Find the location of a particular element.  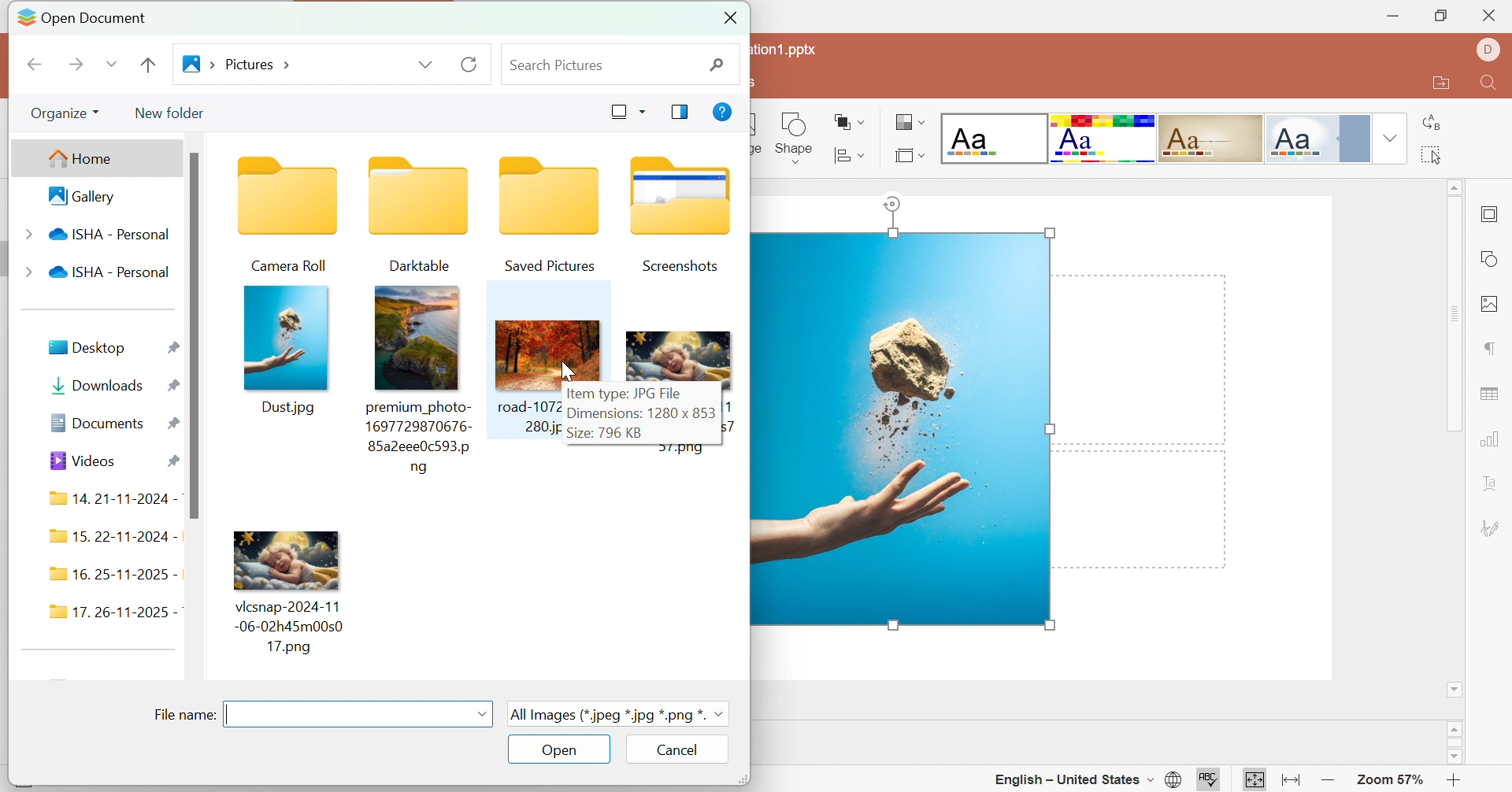

Image is located at coordinates (287, 562).